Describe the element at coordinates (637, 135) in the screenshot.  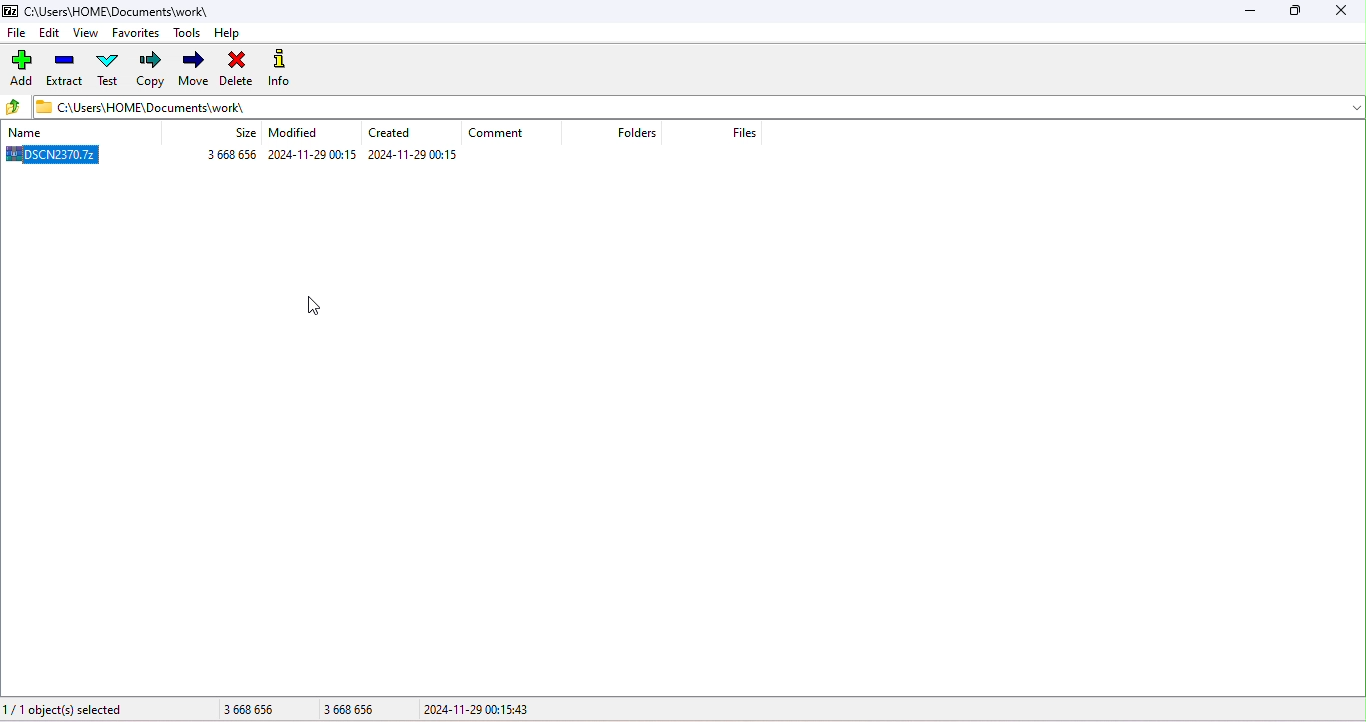
I see `folders` at that location.